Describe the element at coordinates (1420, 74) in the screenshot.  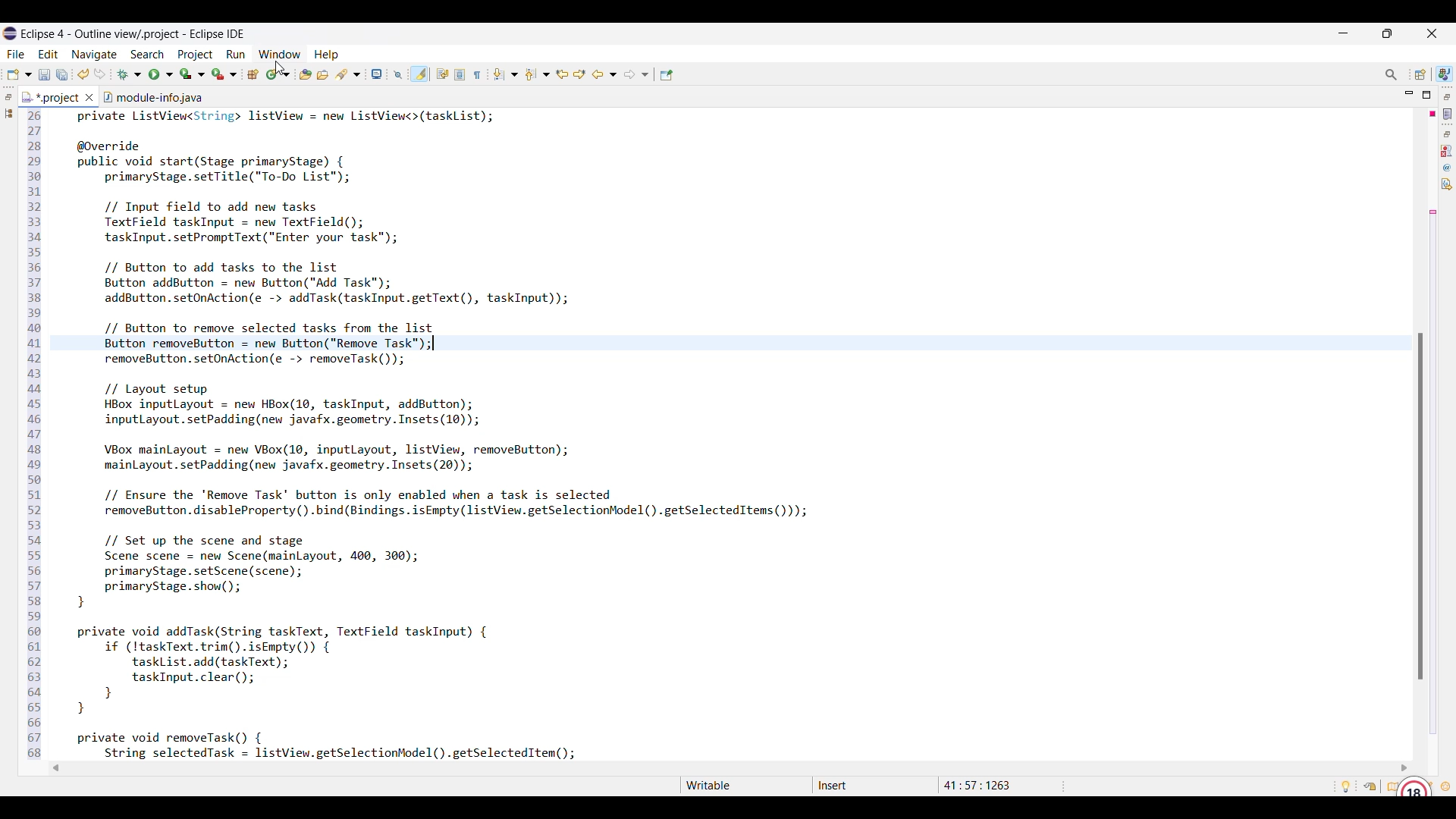
I see `Open perspective` at that location.